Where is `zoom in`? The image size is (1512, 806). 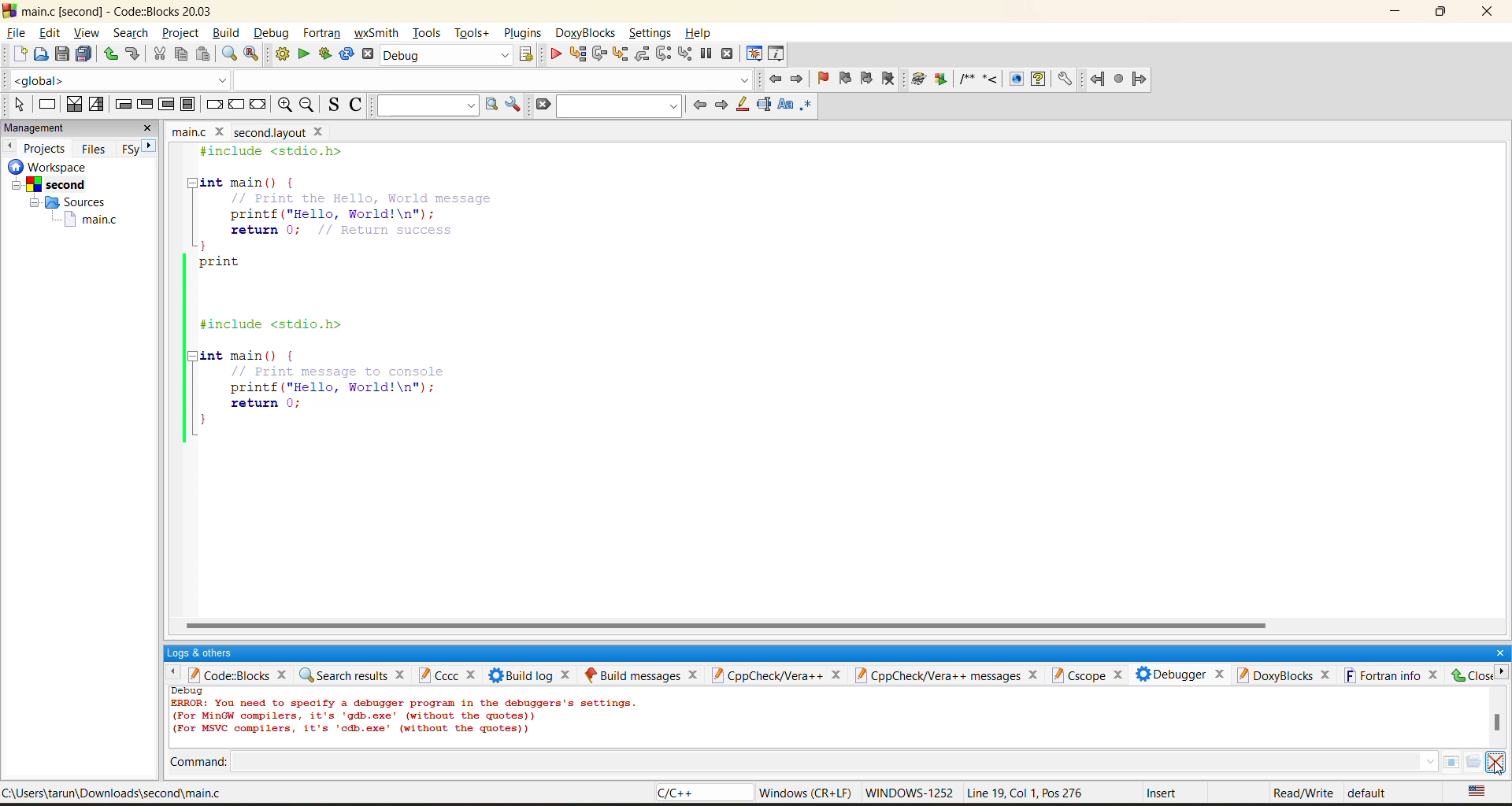 zoom in is located at coordinates (287, 105).